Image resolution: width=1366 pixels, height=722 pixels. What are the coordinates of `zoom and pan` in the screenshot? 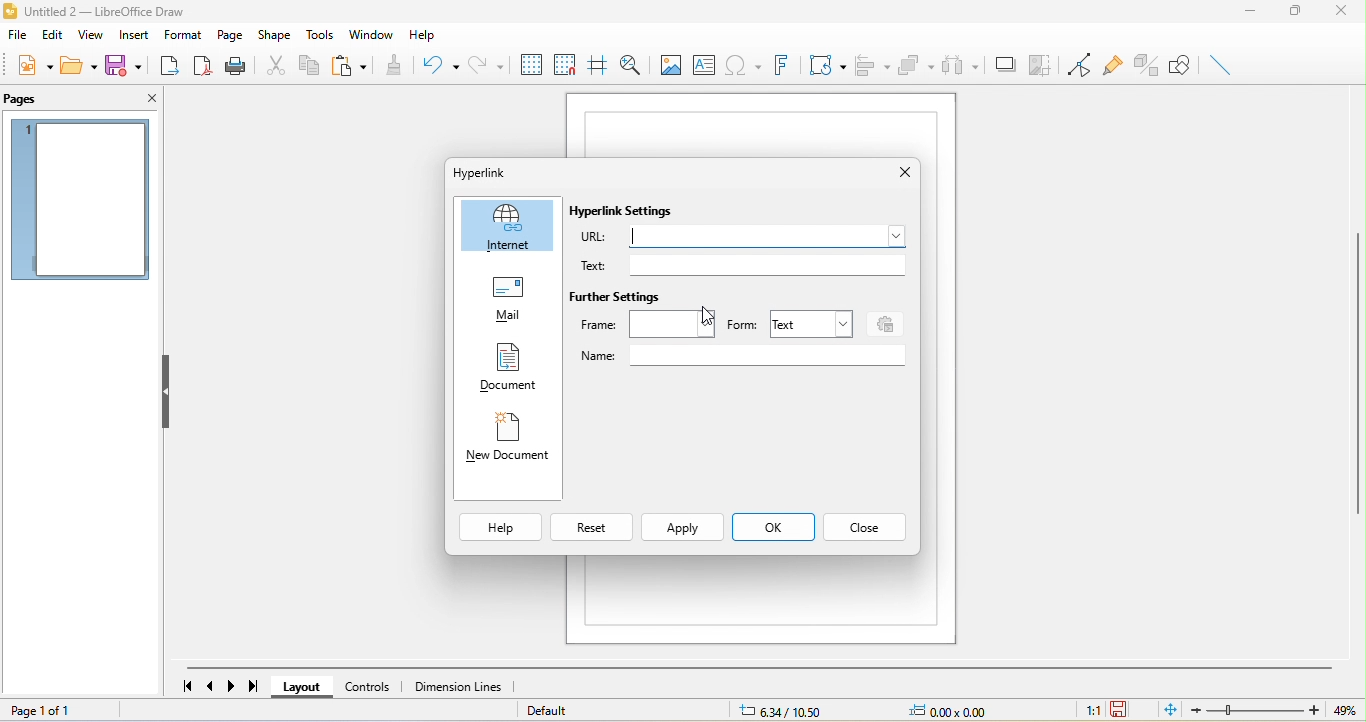 It's located at (631, 62).